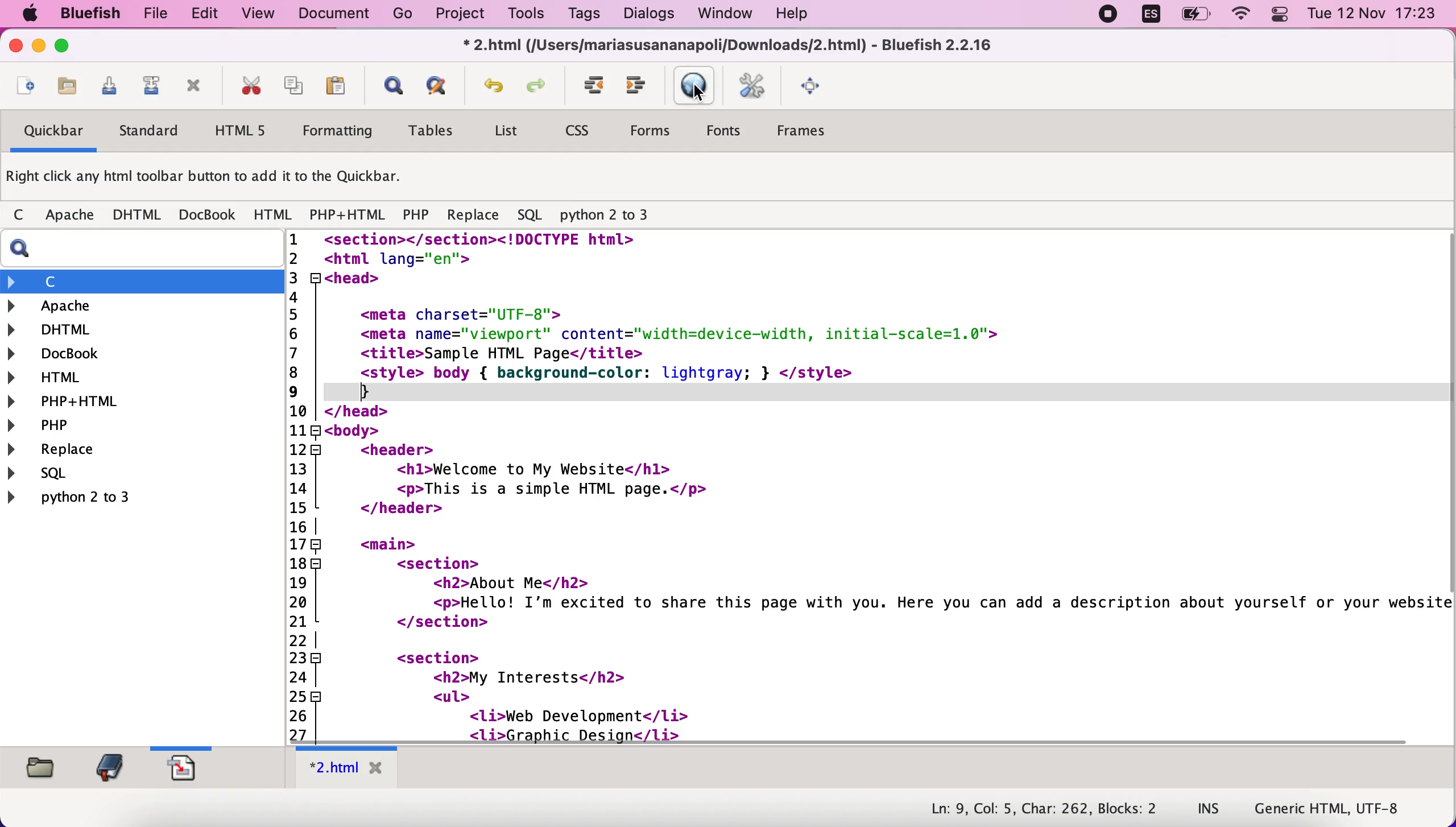 The image size is (1456, 827). What do you see at coordinates (1372, 14) in the screenshot?
I see `Tue 12 Nov 17:23` at bounding box center [1372, 14].